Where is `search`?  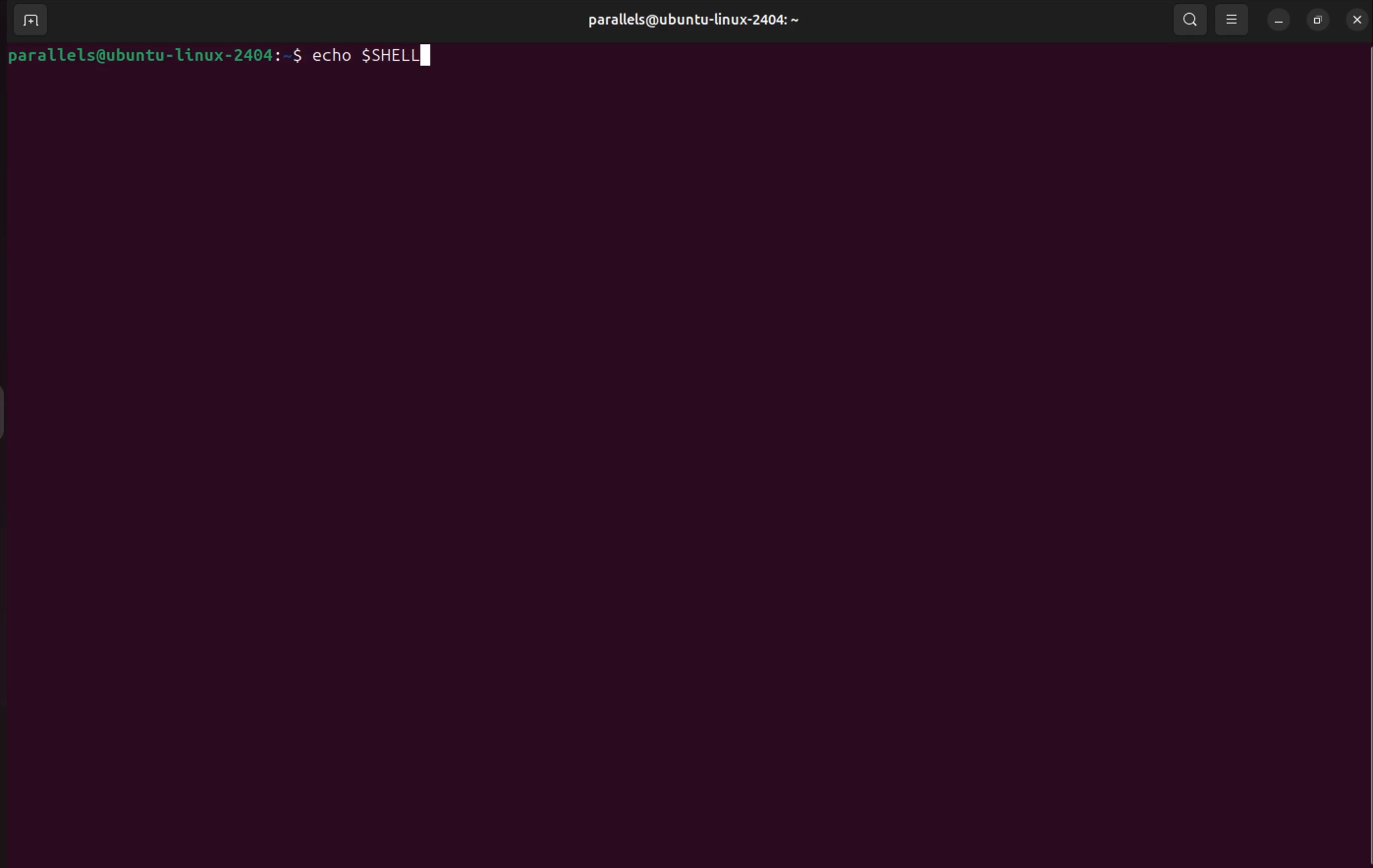 search is located at coordinates (1192, 20).